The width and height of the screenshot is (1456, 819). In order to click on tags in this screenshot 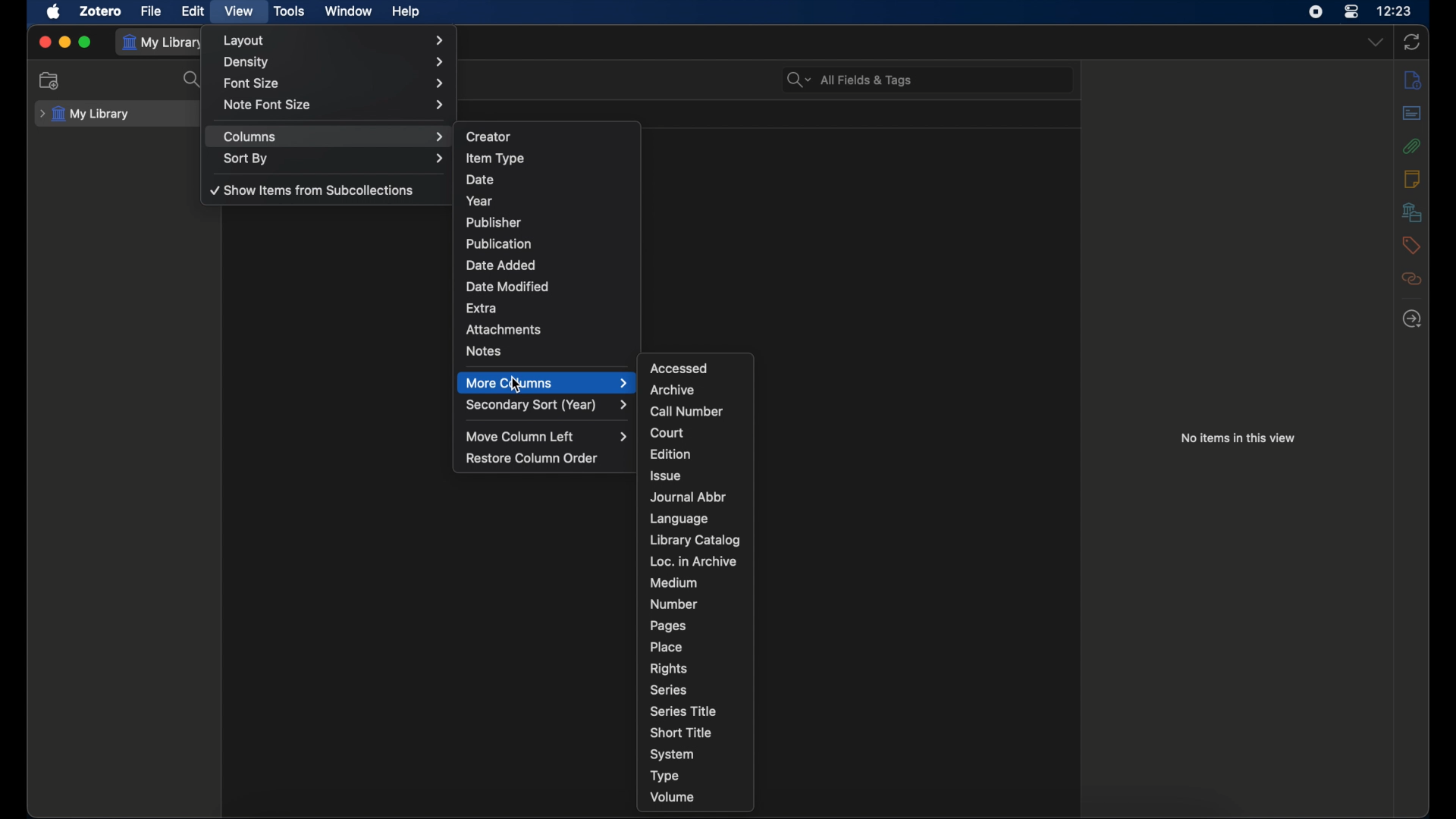, I will do `click(1410, 245)`.